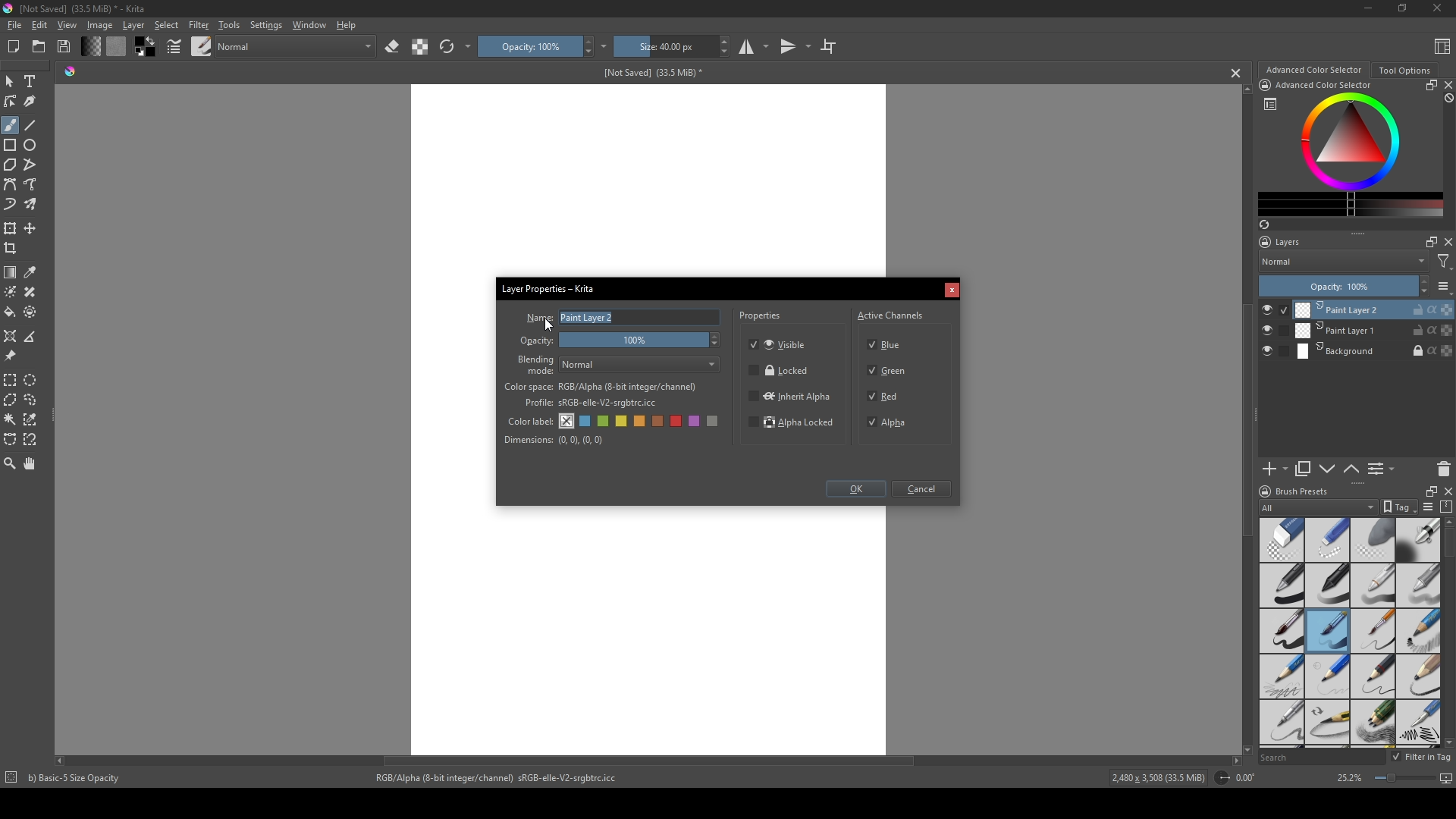 This screenshot has width=1456, height=819. I want to click on Name:, so click(538, 318).